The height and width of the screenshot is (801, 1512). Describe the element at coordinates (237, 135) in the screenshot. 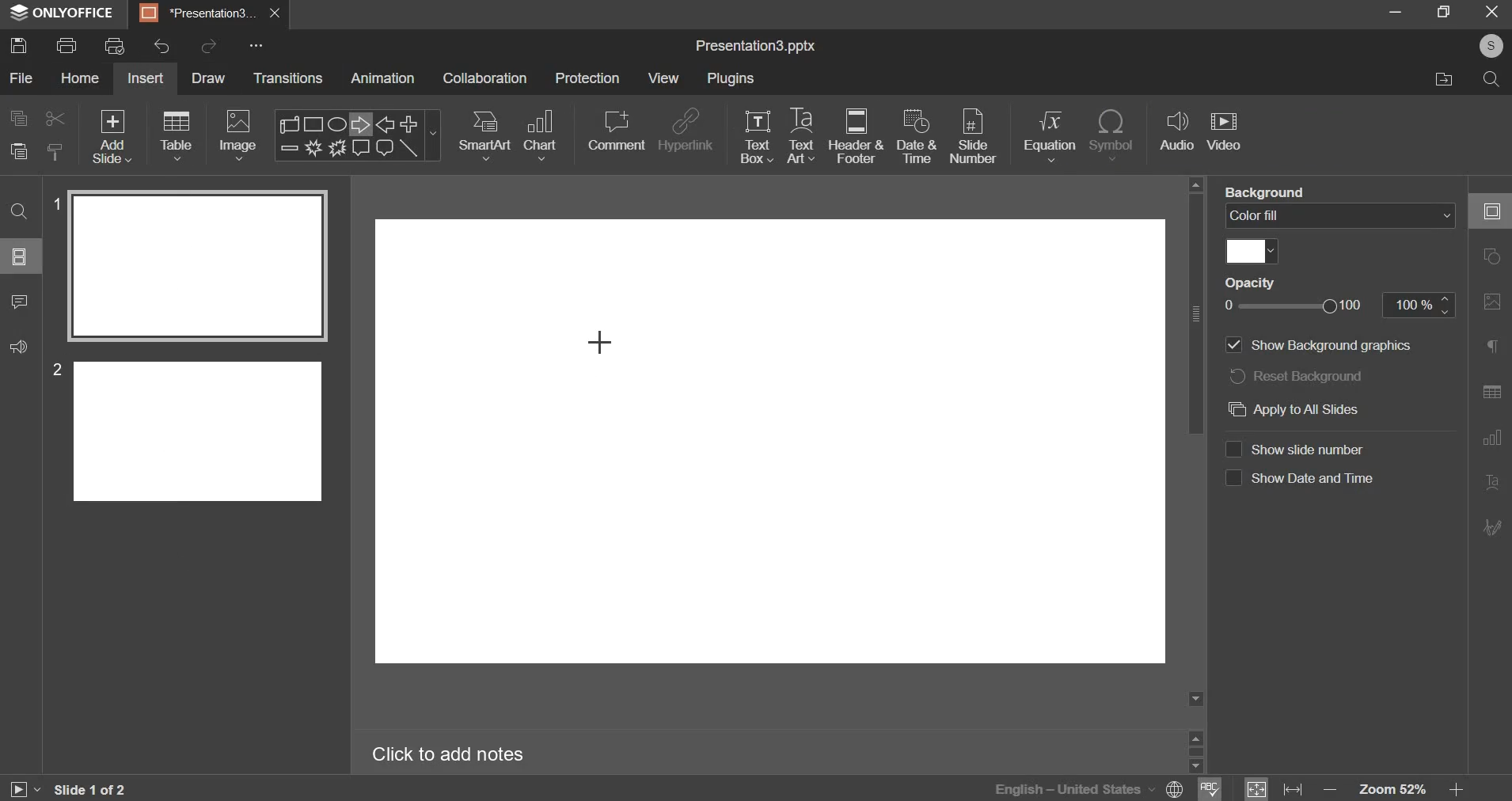

I see `image` at that location.